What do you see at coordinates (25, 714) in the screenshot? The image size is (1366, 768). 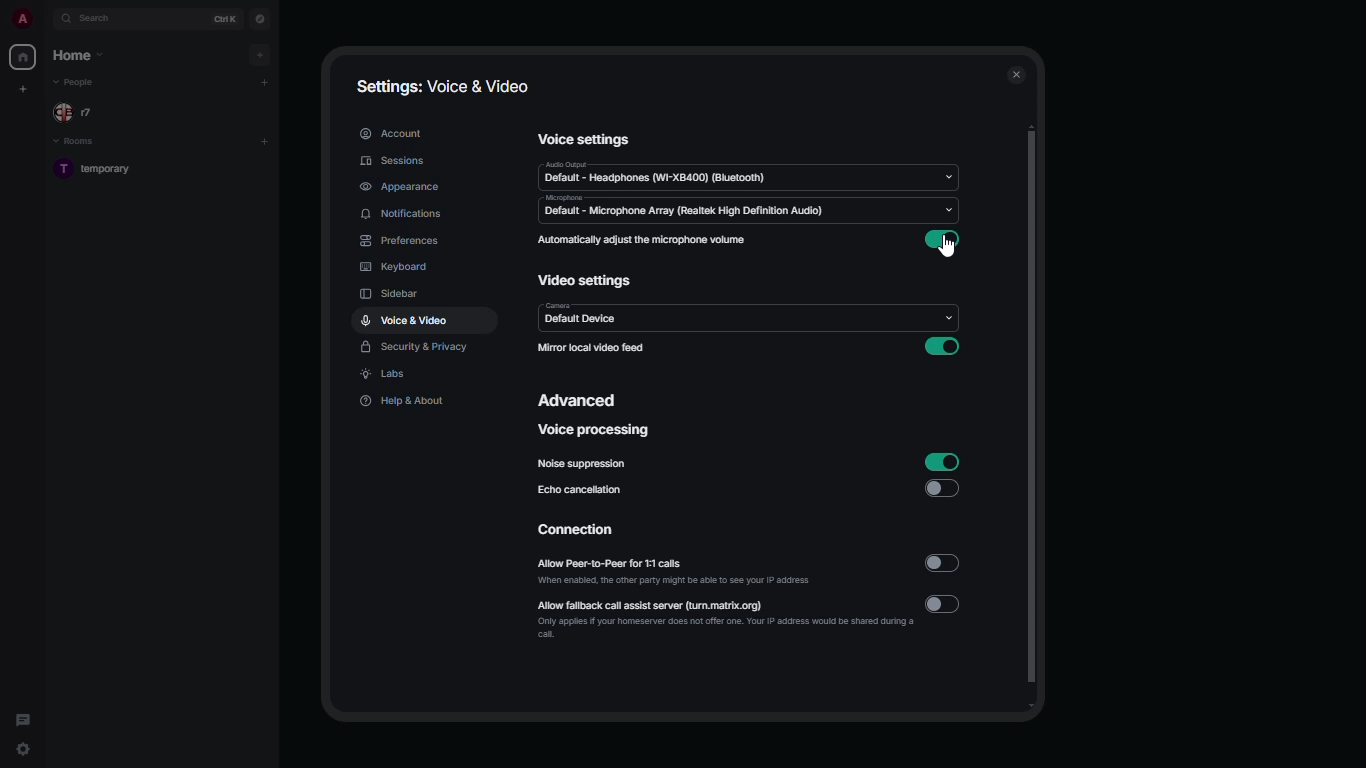 I see `threads` at bounding box center [25, 714].